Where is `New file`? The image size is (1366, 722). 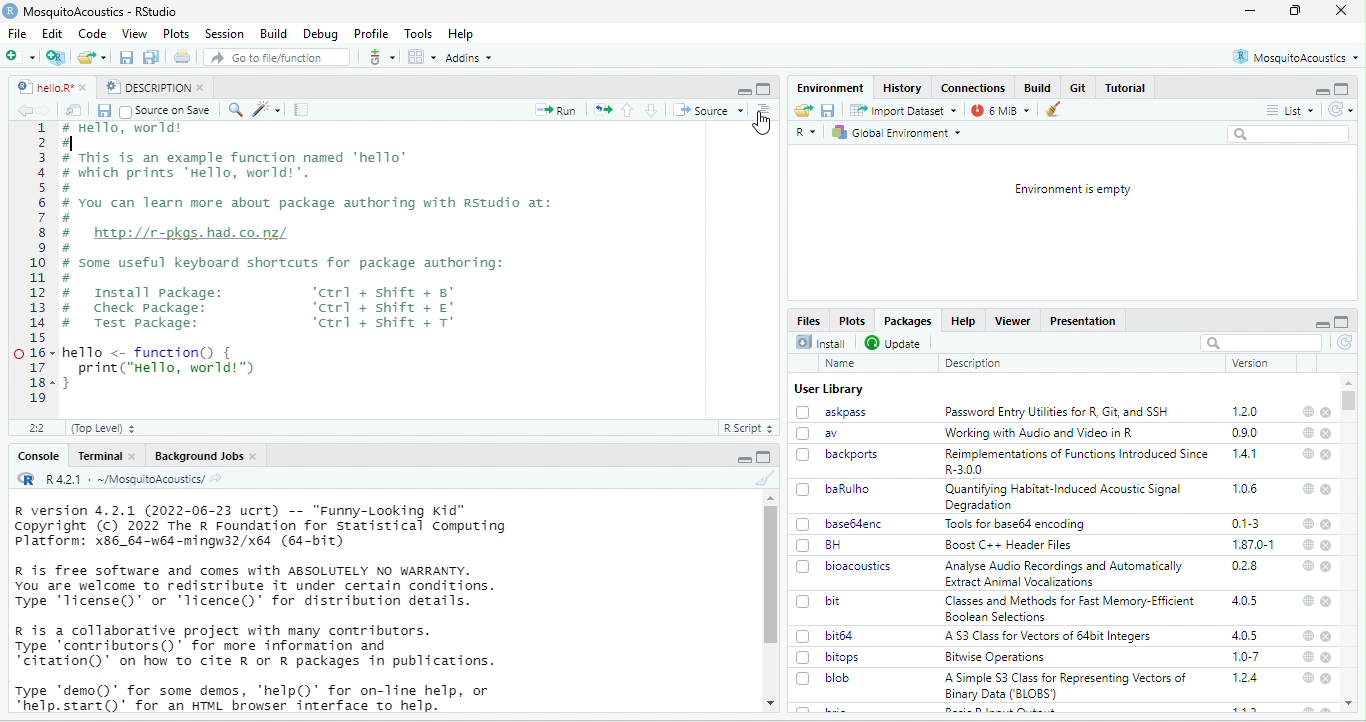
New file is located at coordinates (24, 56).